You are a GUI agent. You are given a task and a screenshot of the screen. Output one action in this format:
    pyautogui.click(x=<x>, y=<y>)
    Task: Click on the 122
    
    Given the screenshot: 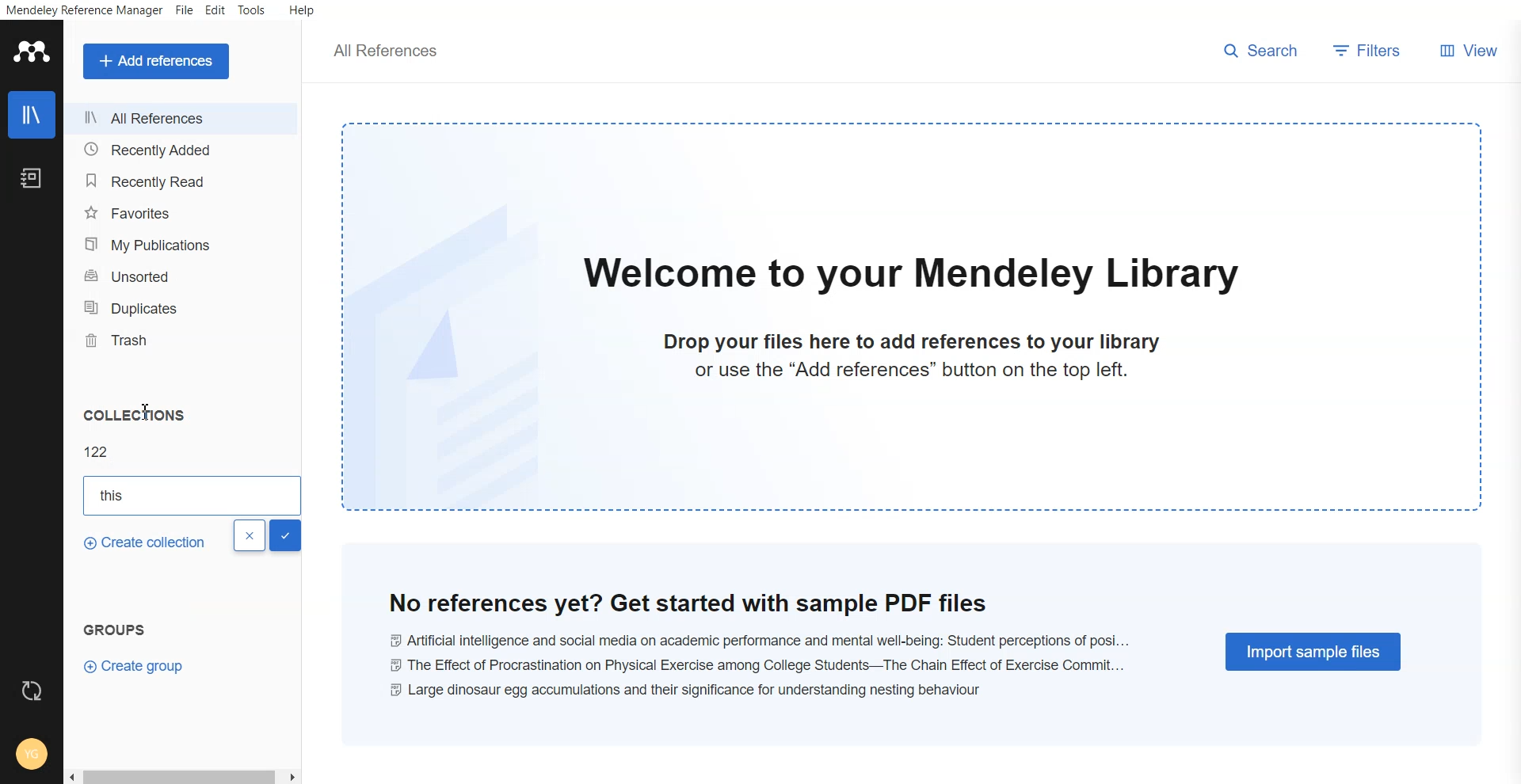 What is the action you would take?
    pyautogui.click(x=104, y=450)
    